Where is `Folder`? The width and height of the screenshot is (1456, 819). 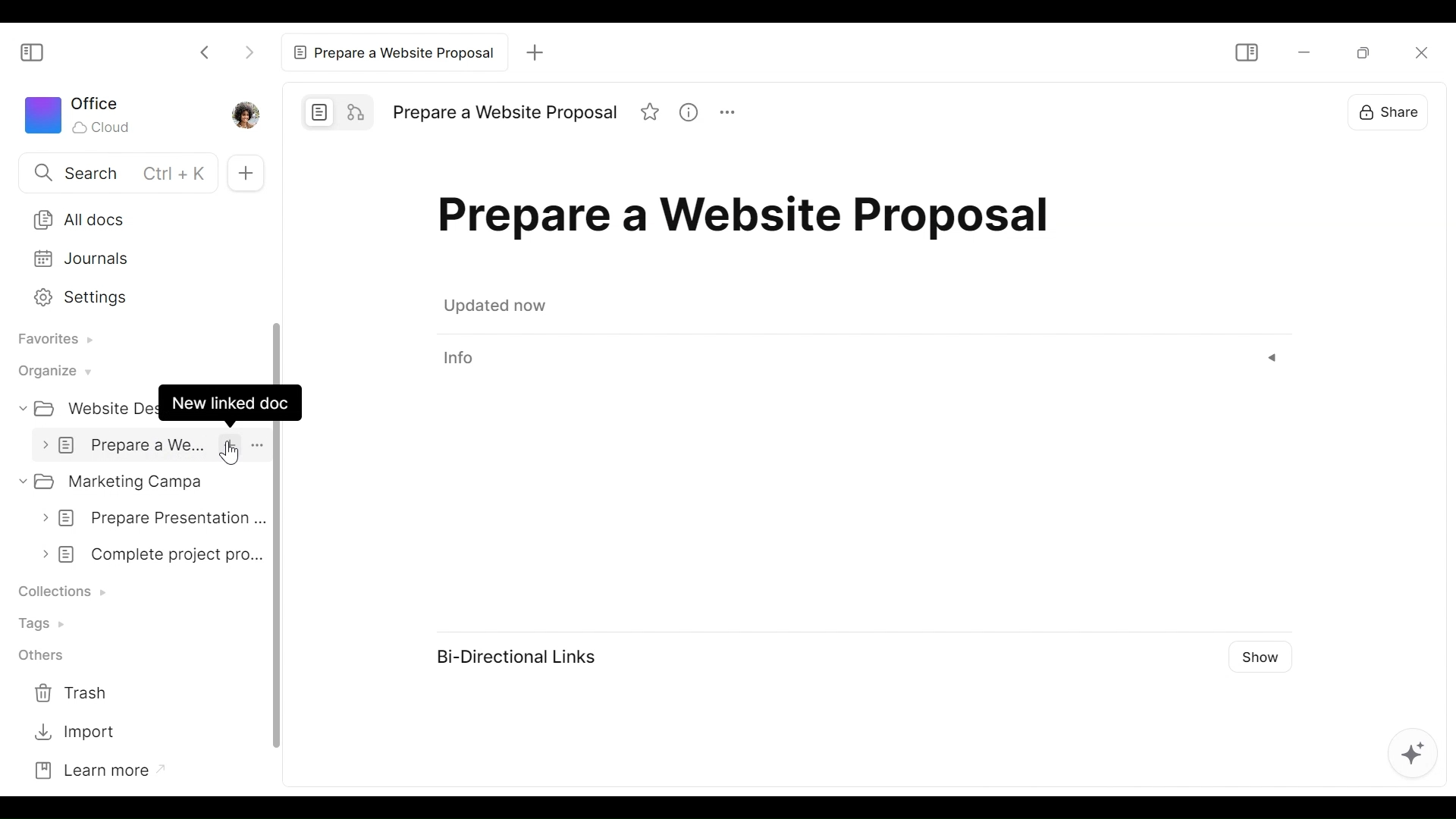
Folder is located at coordinates (137, 481).